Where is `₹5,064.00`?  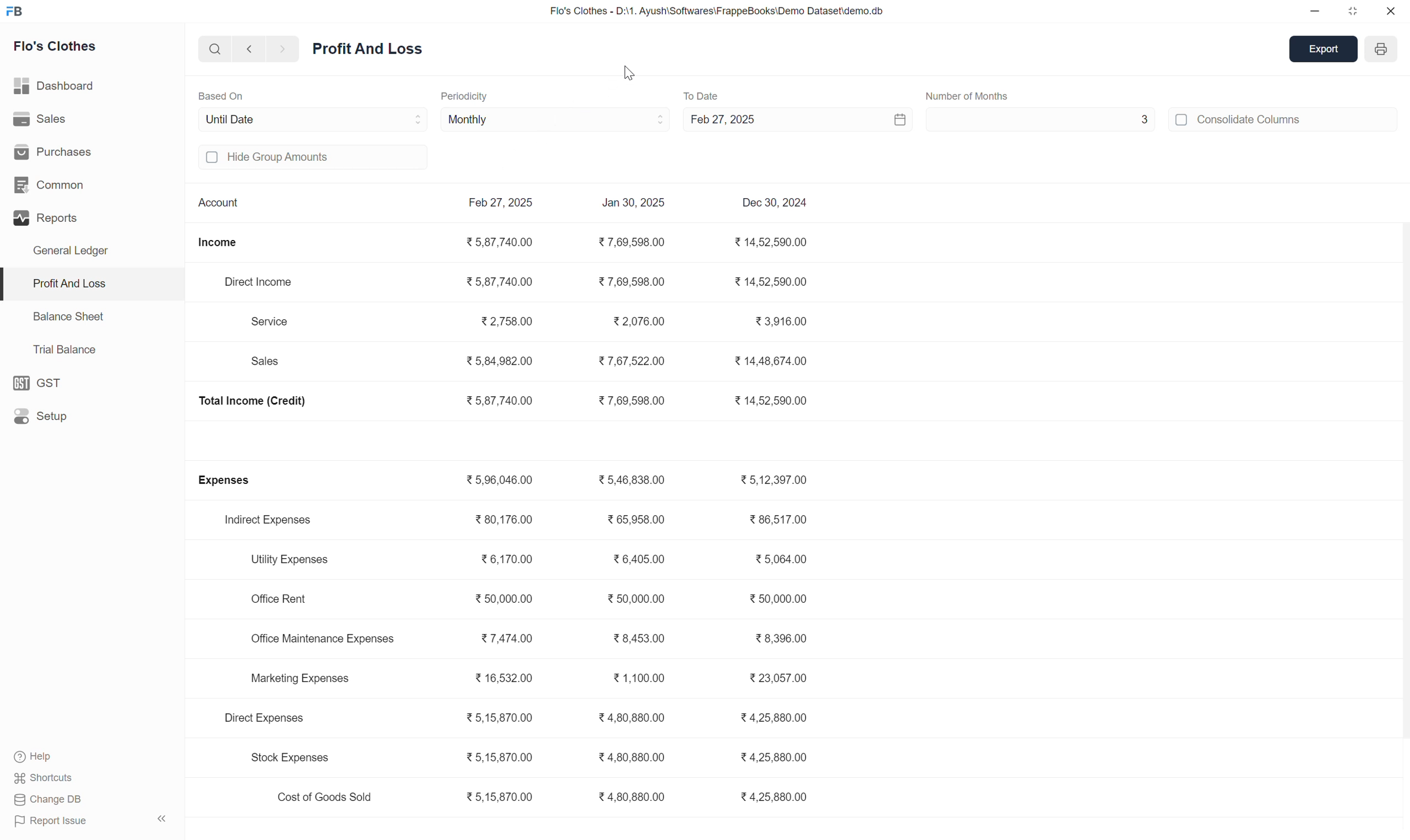
₹5,064.00 is located at coordinates (787, 560).